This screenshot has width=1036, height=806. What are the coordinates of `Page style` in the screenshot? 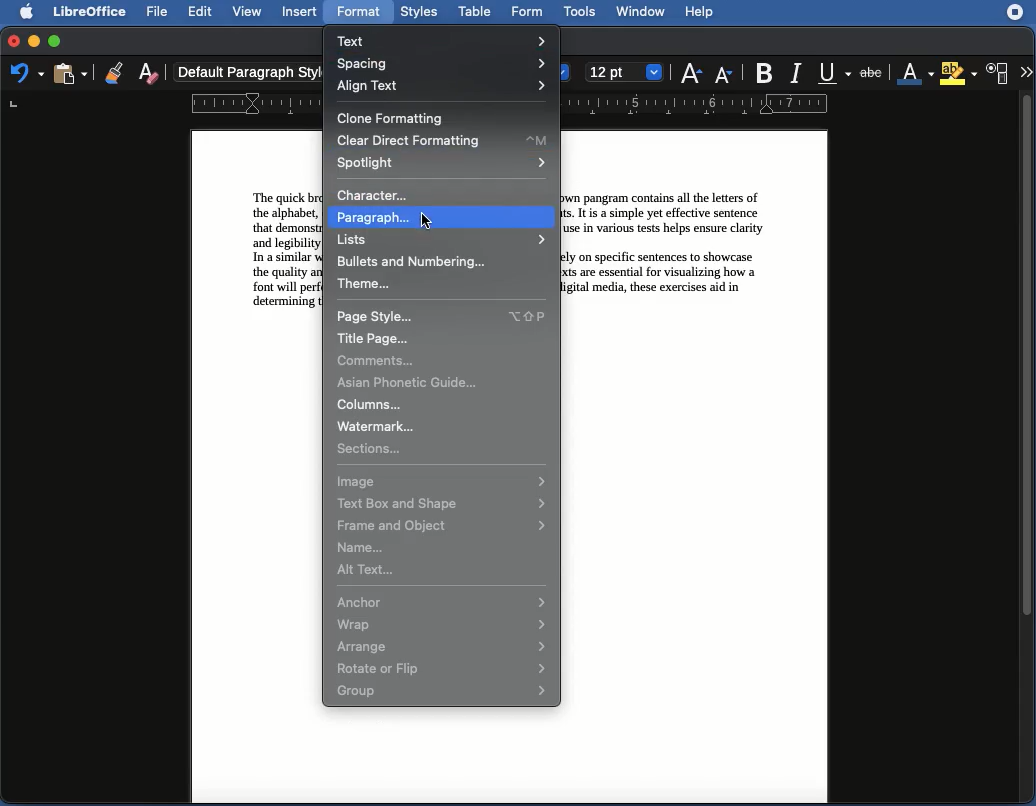 It's located at (443, 315).